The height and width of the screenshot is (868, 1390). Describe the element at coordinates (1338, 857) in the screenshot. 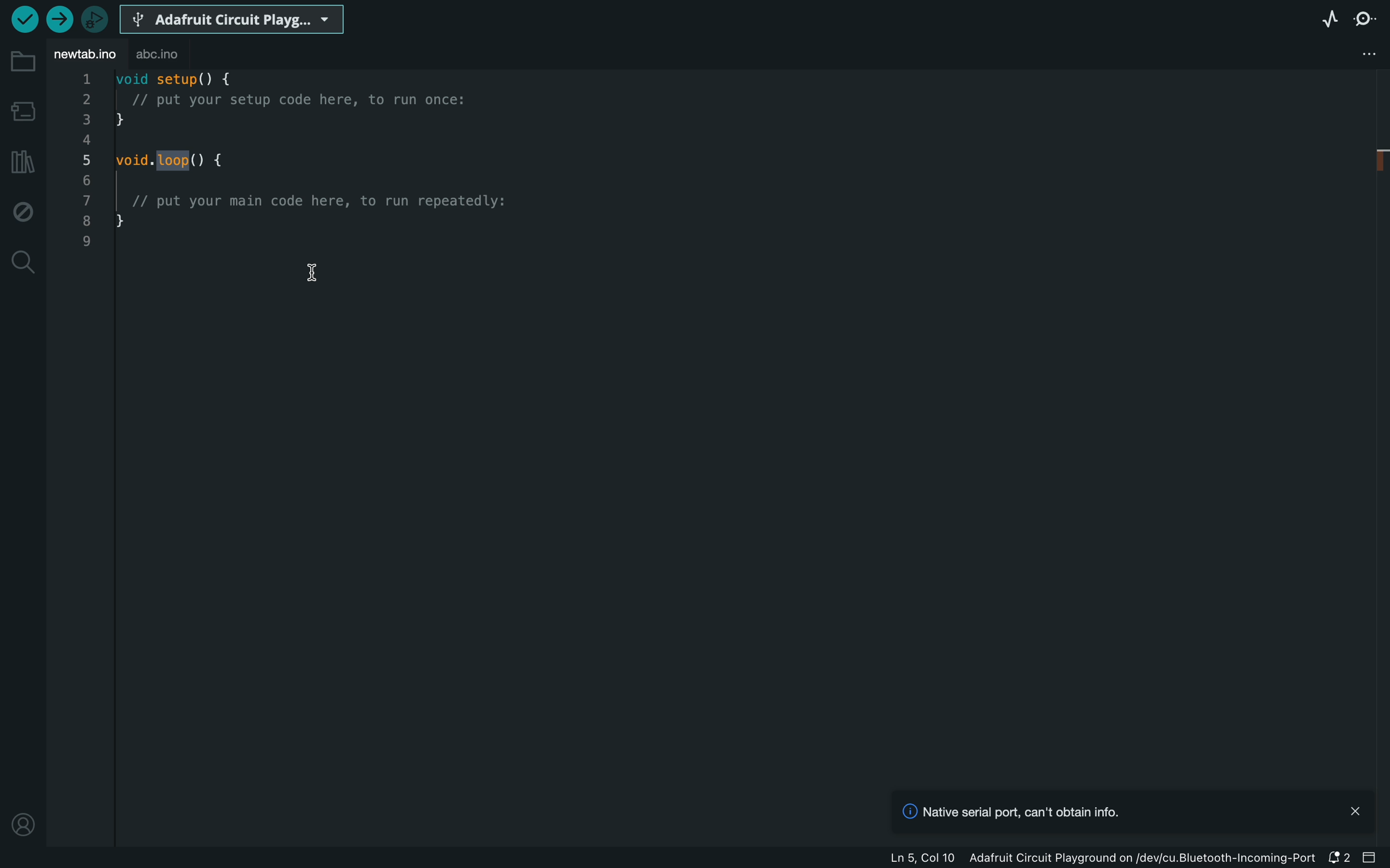

I see `notification` at that location.